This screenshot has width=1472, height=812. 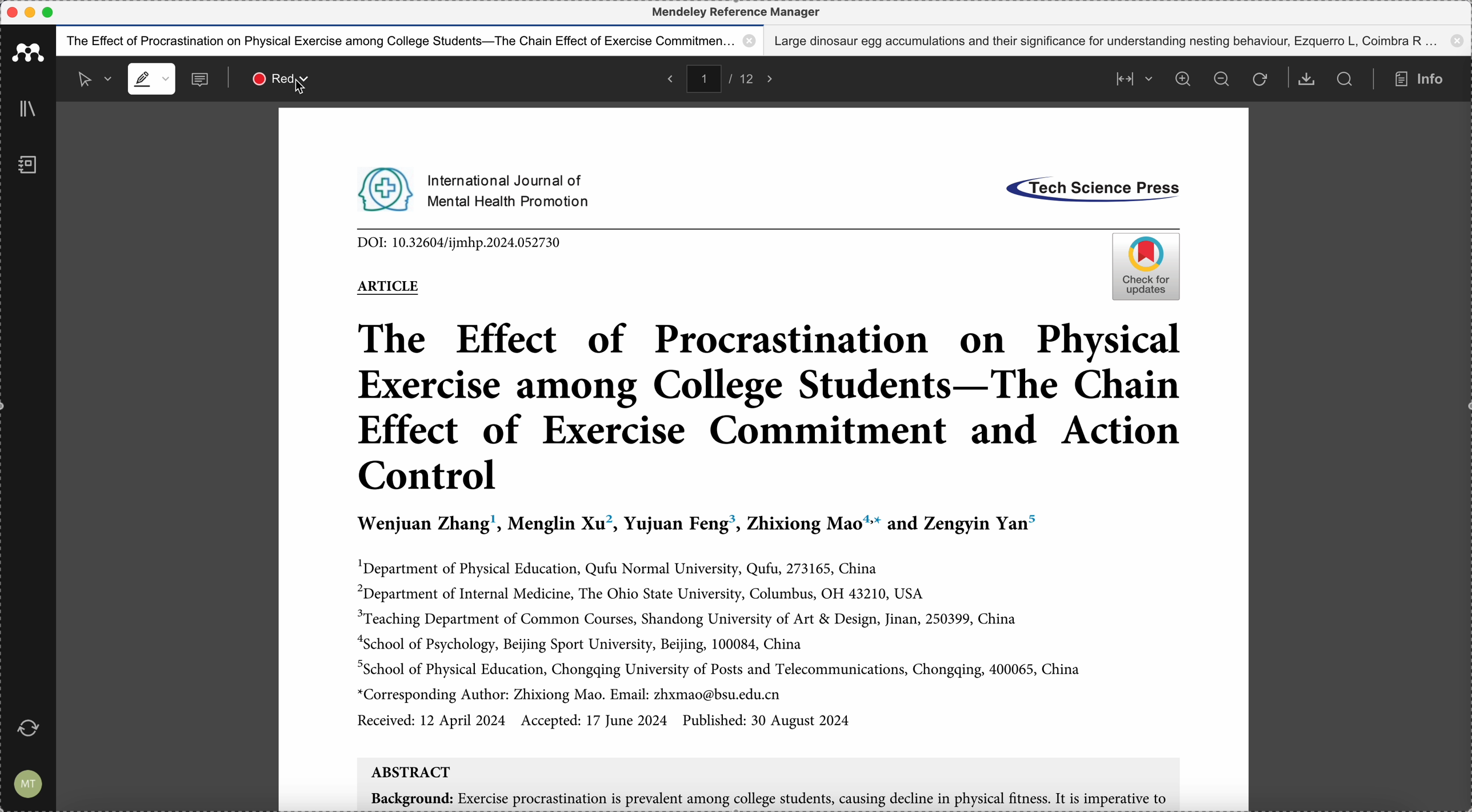 I want to click on back, so click(x=668, y=78).